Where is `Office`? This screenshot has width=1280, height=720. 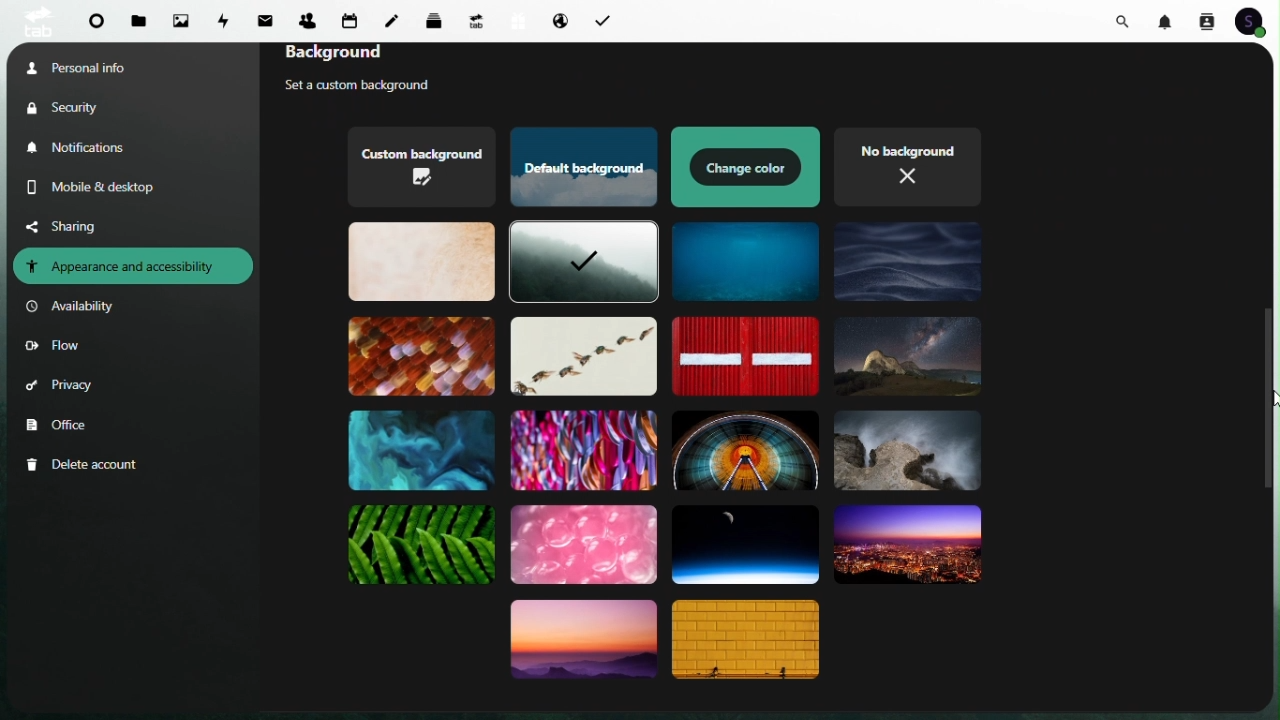
Office is located at coordinates (61, 426).